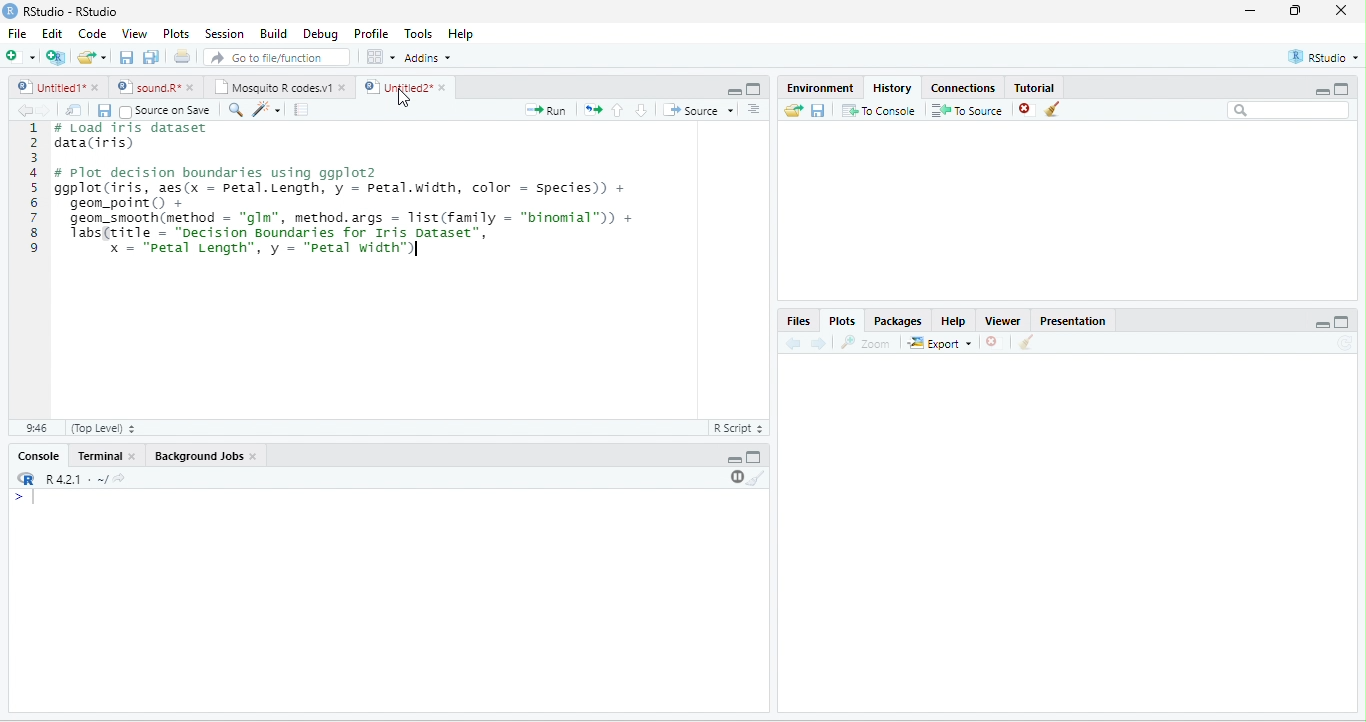  Describe the element at coordinates (150, 57) in the screenshot. I see `save all` at that location.